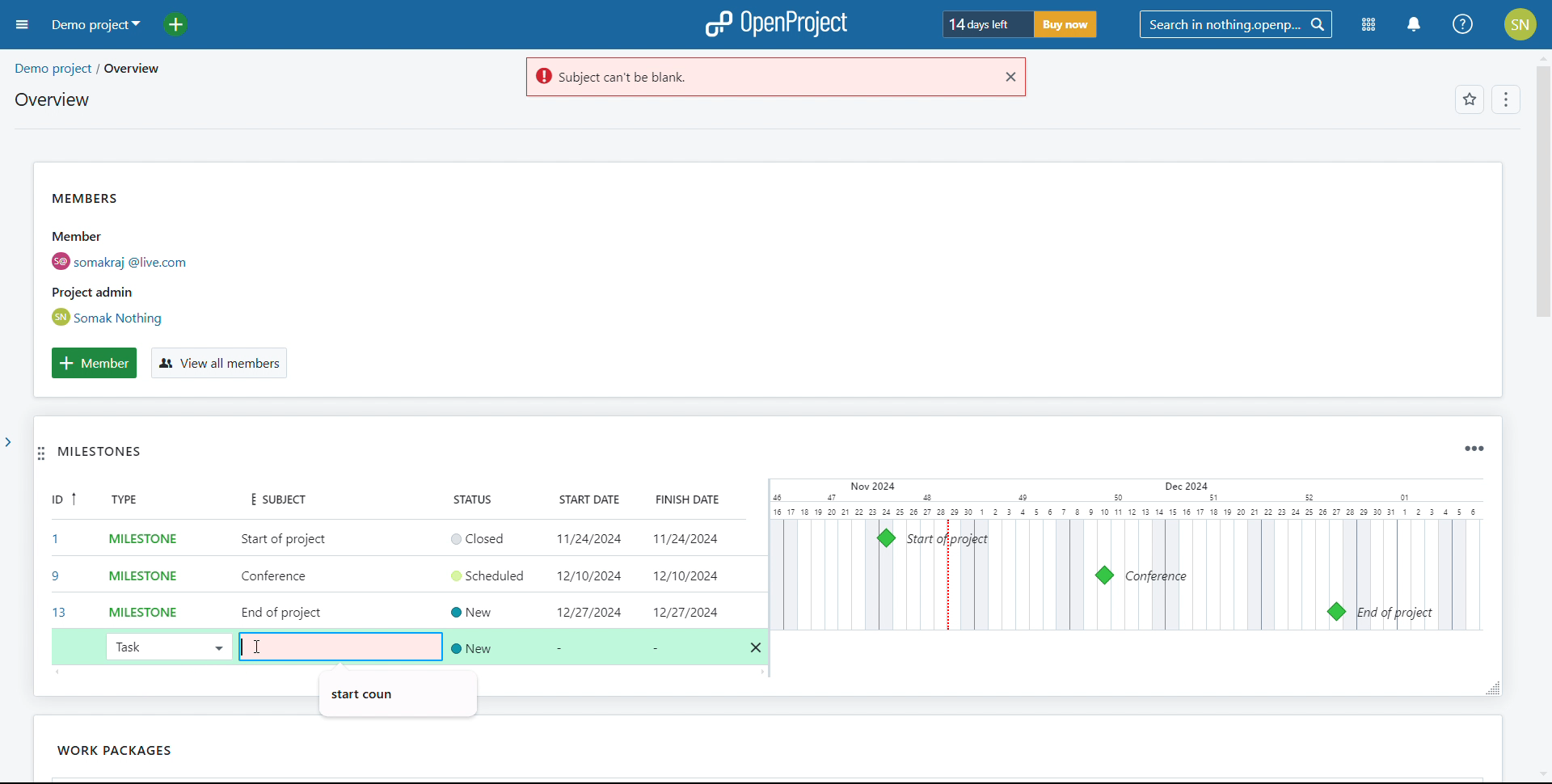 This screenshot has width=1552, height=784. What do you see at coordinates (1469, 101) in the screenshot?
I see `favorites` at bounding box center [1469, 101].